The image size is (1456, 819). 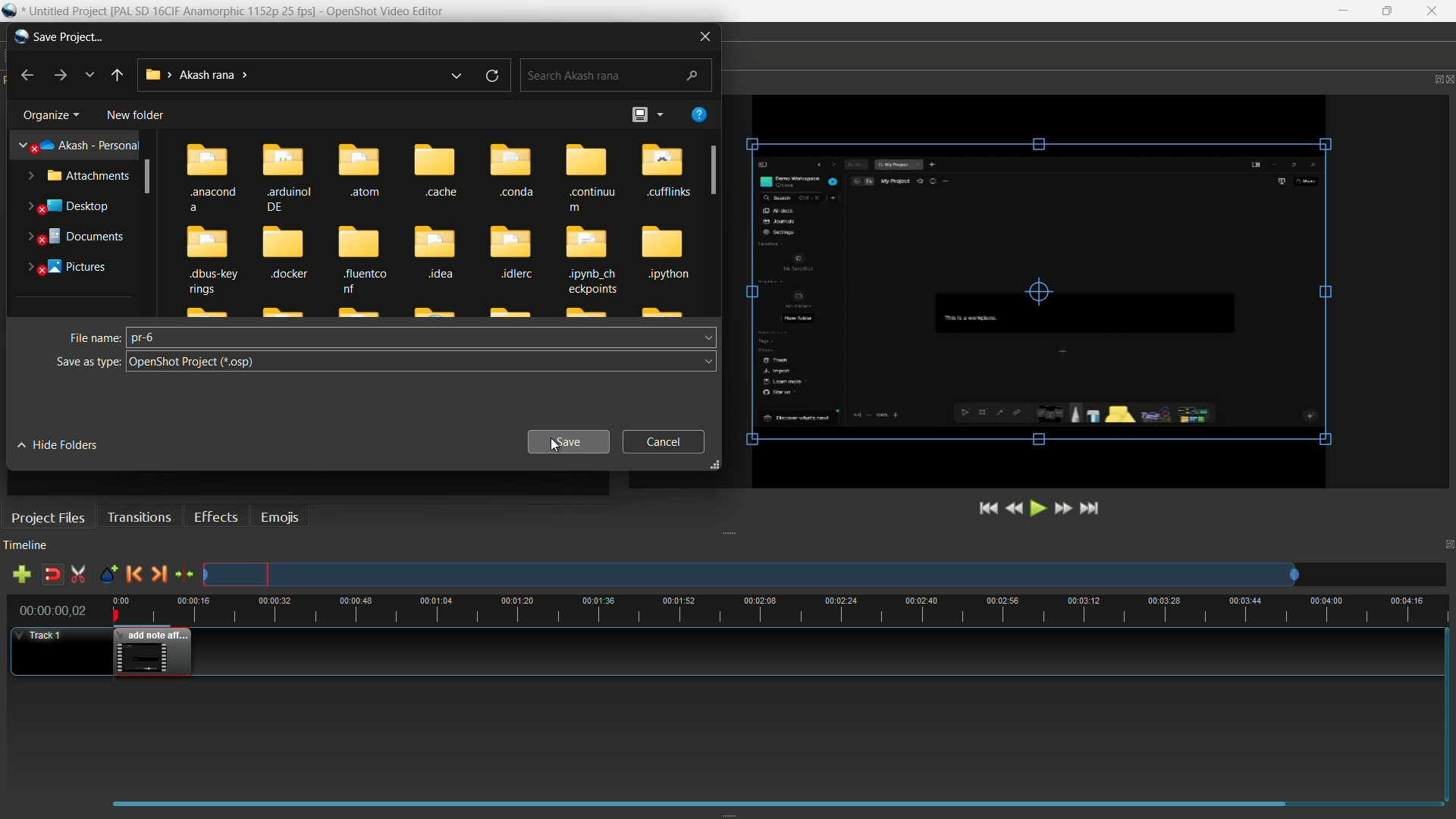 I want to click on .arduinol
DE, so click(x=289, y=175).